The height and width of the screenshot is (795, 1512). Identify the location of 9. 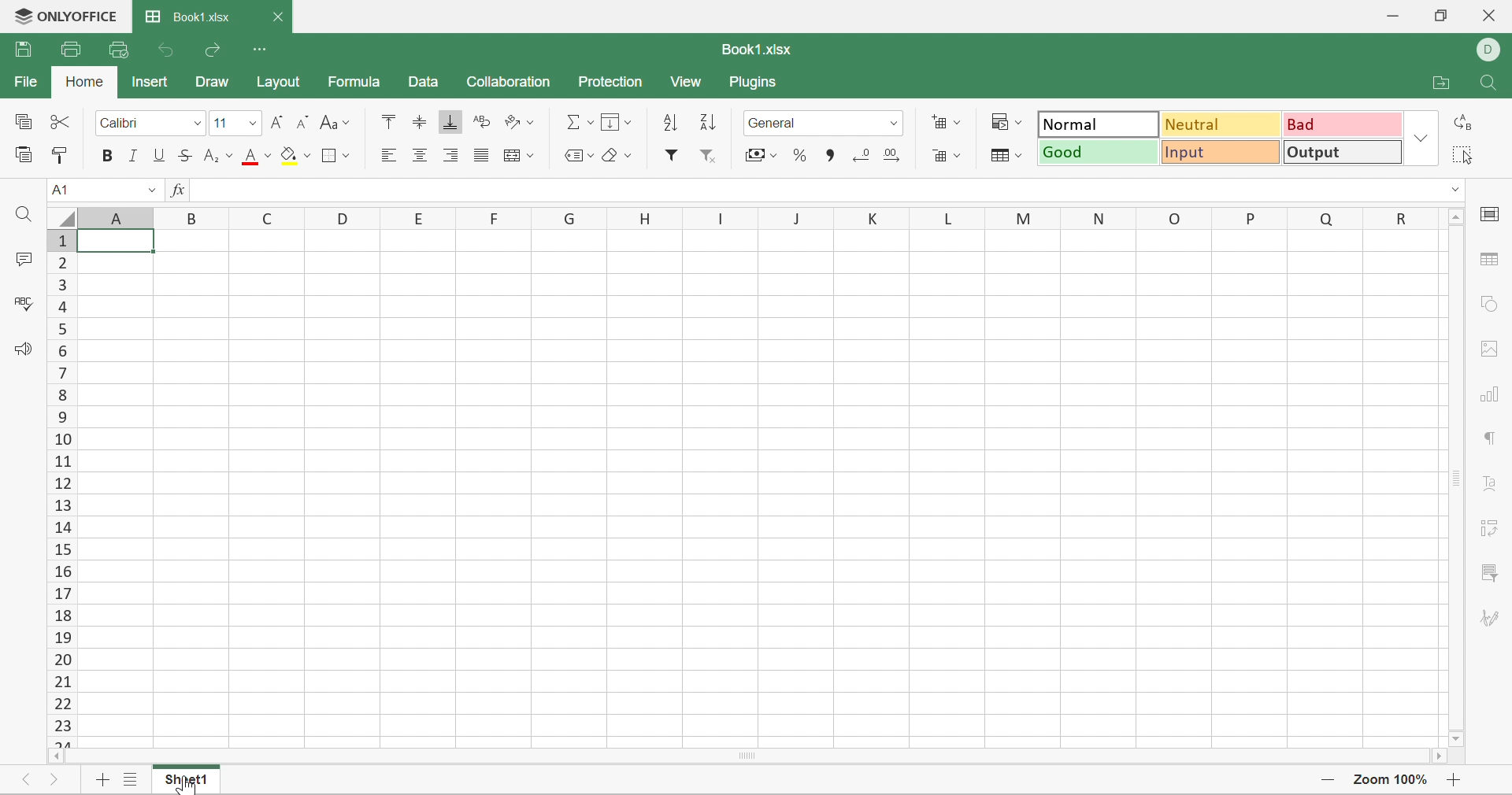
(65, 419).